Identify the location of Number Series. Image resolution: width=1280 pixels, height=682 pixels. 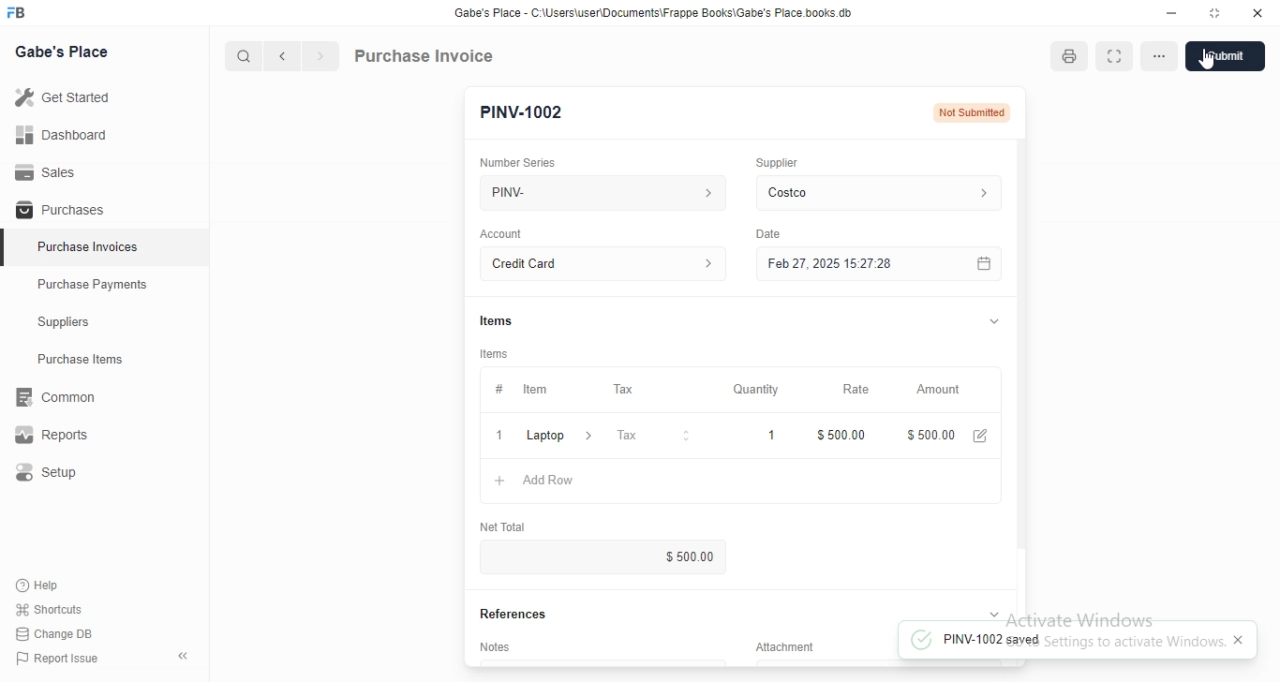
(518, 163).